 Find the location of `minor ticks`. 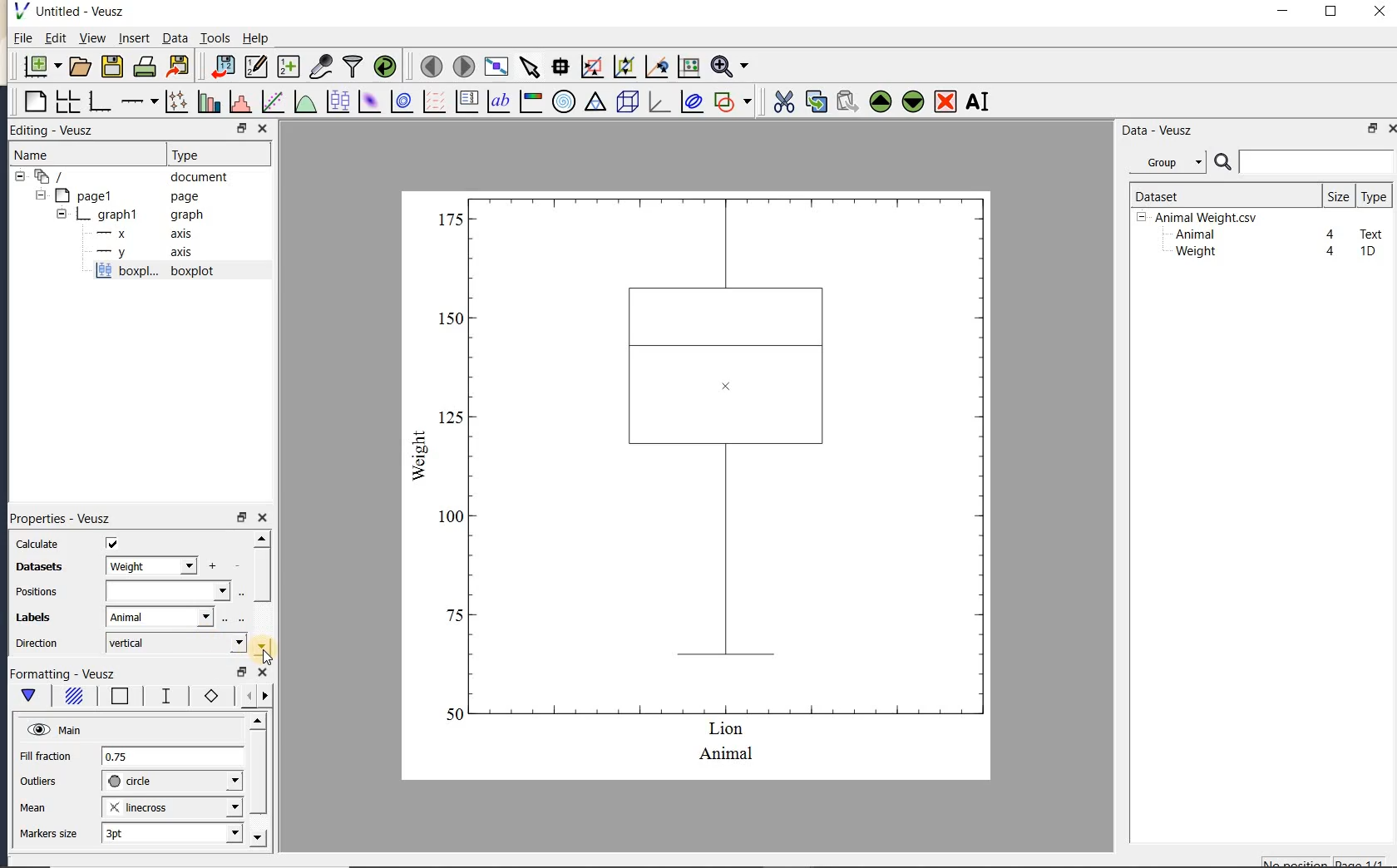

minor ticks is located at coordinates (251, 696).